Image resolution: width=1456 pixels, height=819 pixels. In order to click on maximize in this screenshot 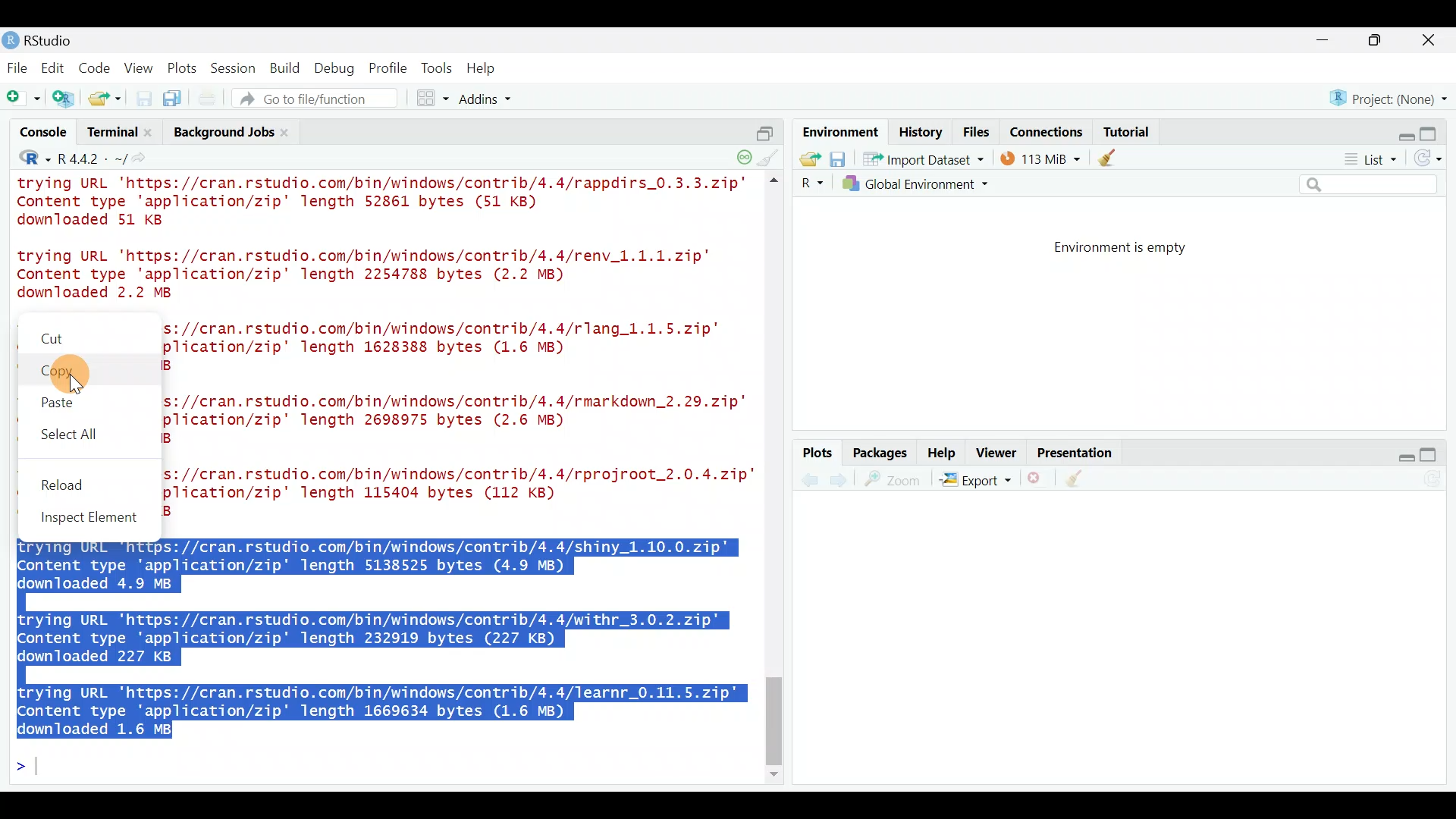, I will do `click(1435, 454)`.